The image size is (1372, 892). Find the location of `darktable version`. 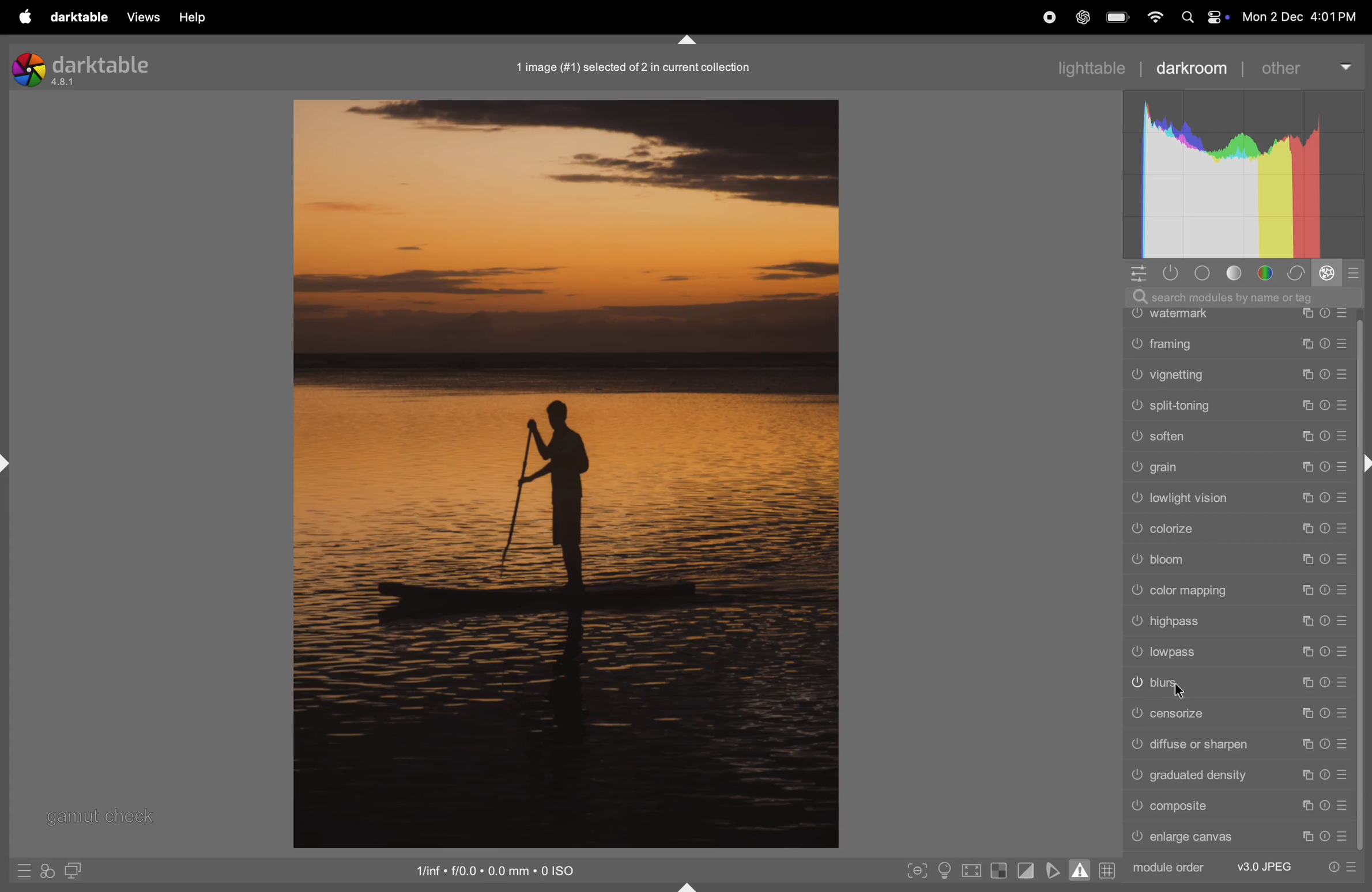

darktable version is located at coordinates (80, 68).